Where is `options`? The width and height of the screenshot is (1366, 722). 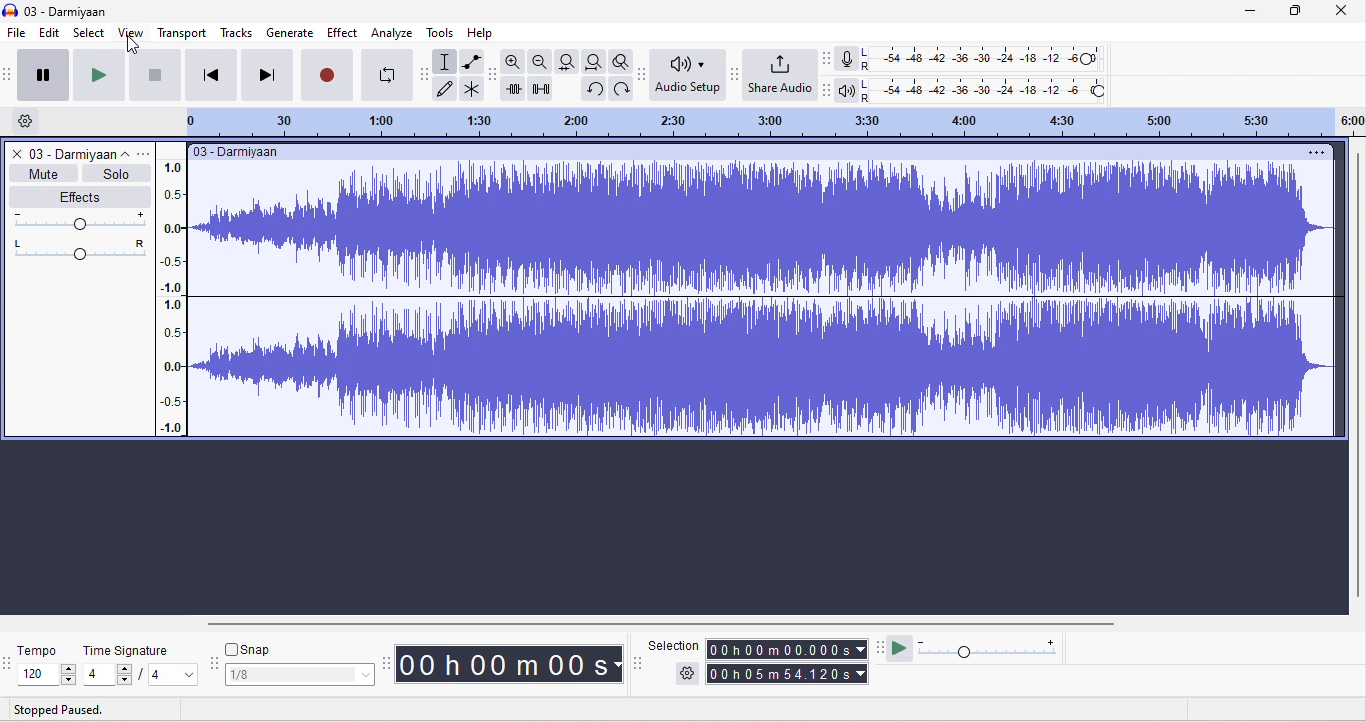
options is located at coordinates (1314, 153).